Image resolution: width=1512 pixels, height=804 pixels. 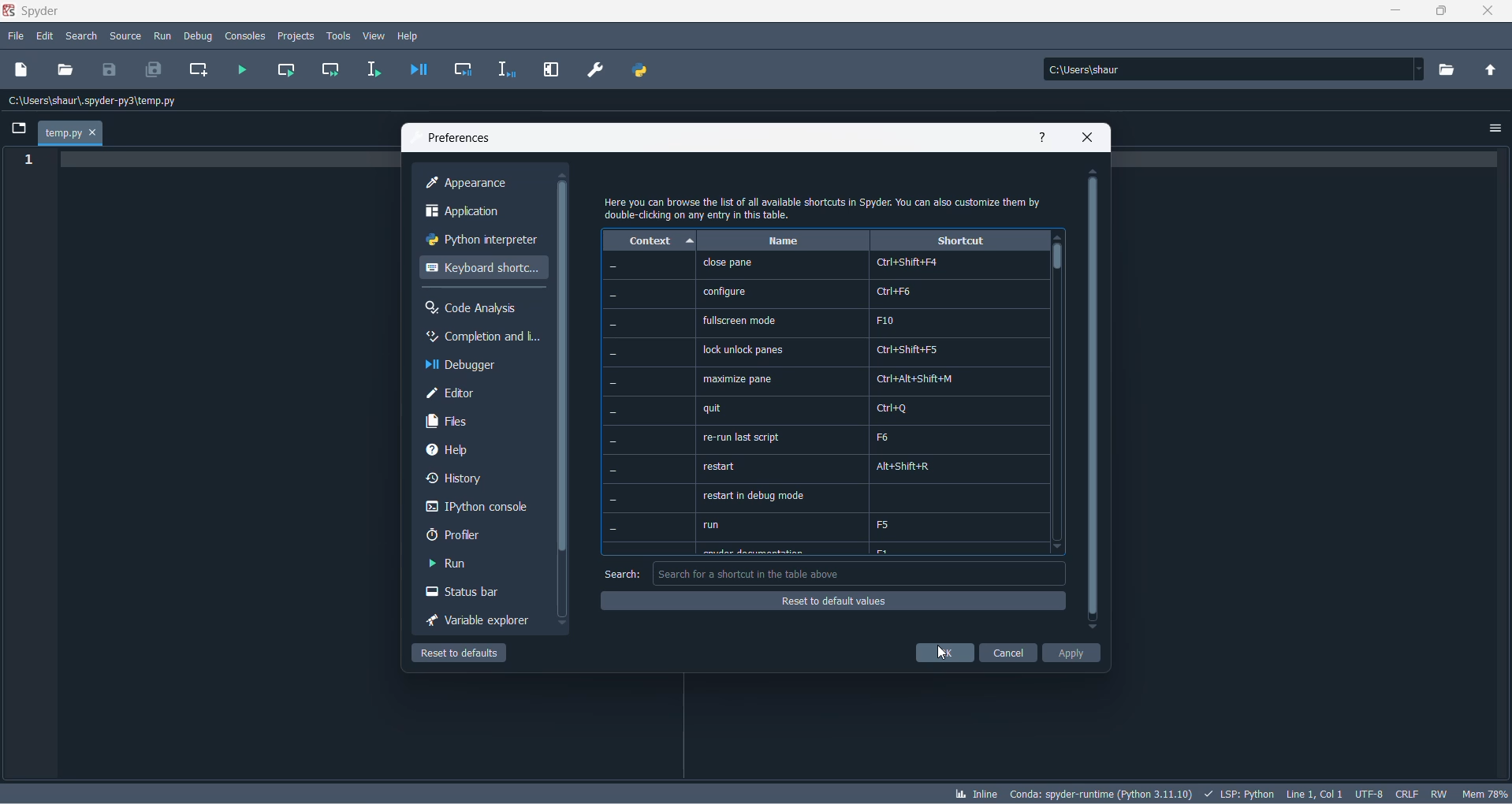 I want to click on close, so click(x=1494, y=14).